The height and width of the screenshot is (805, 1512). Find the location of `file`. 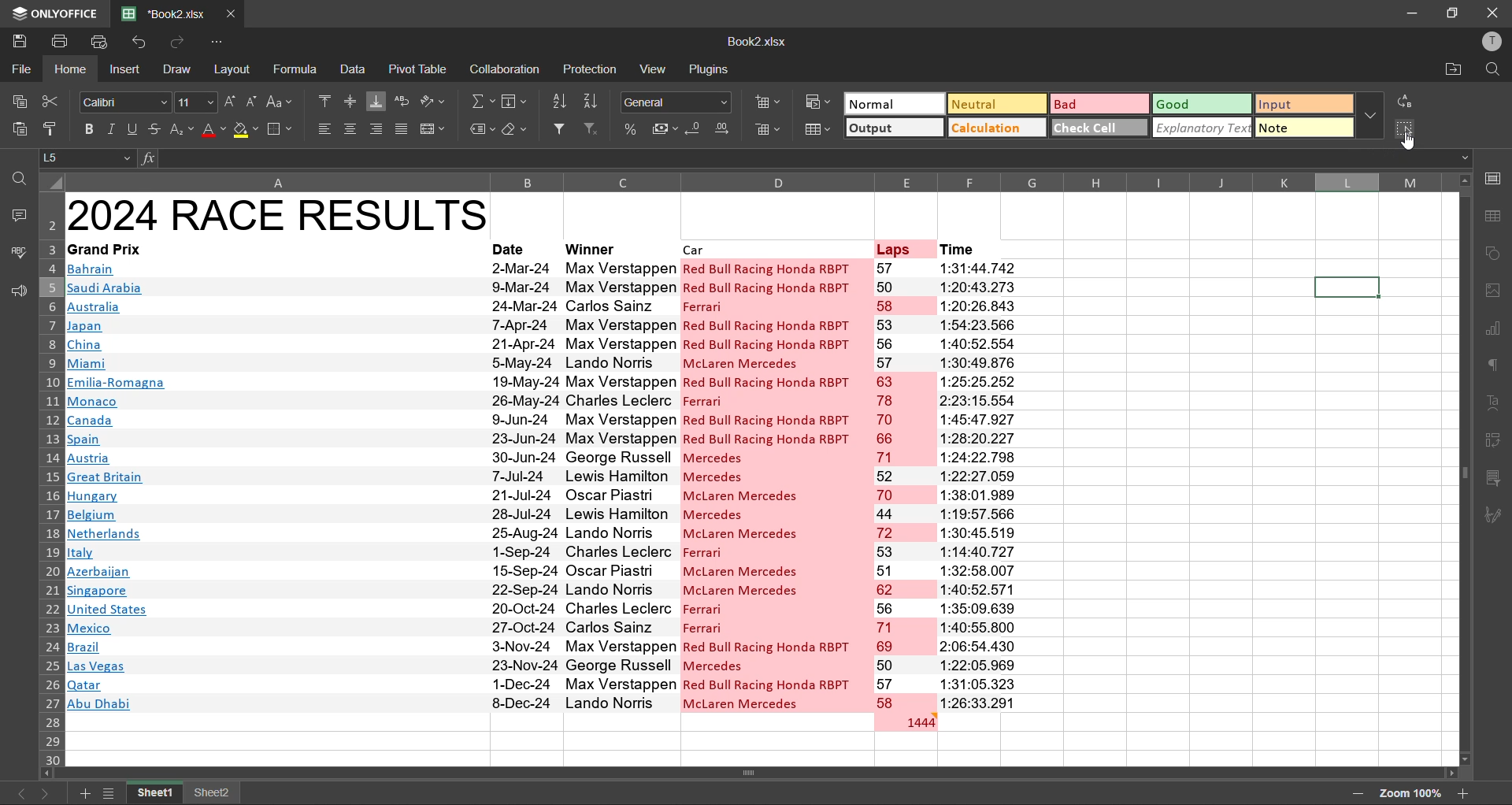

file is located at coordinates (23, 70).